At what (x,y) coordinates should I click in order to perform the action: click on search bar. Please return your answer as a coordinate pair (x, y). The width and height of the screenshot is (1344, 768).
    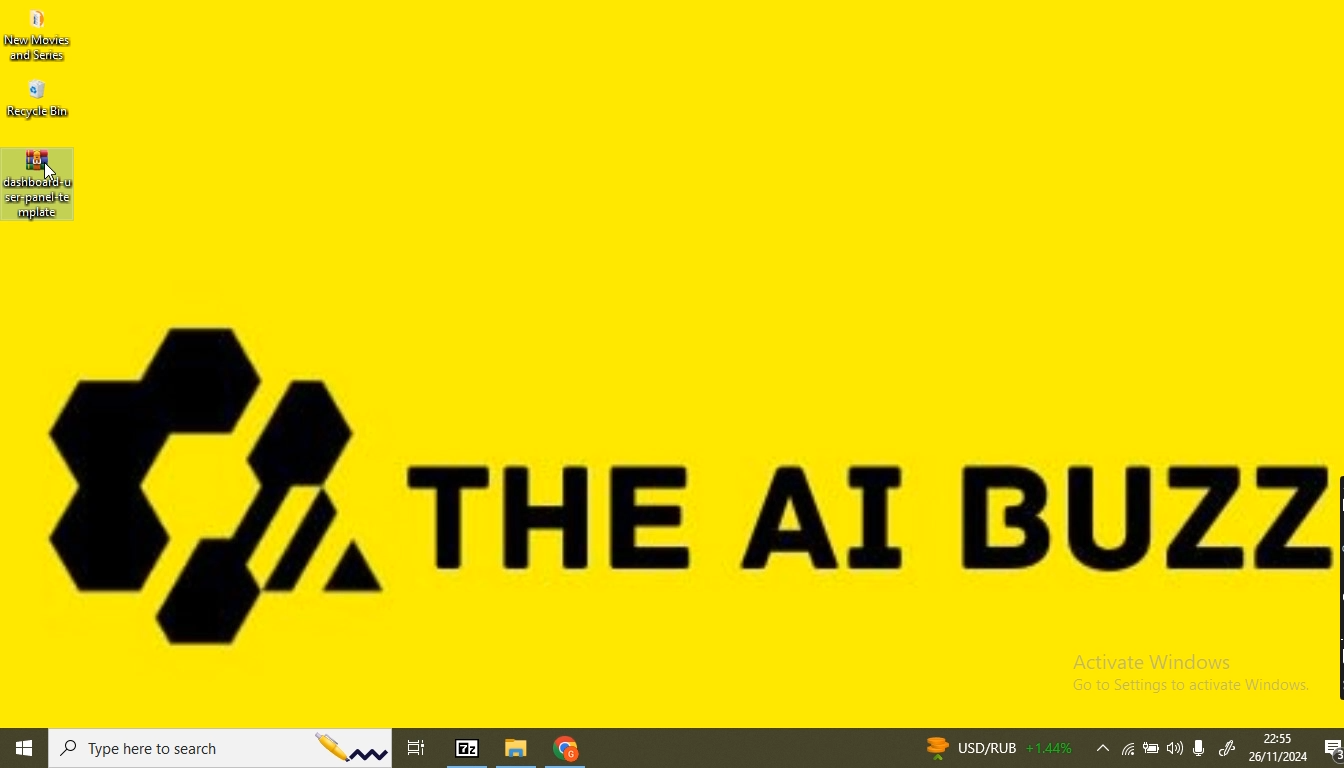
    Looking at the image, I should click on (223, 749).